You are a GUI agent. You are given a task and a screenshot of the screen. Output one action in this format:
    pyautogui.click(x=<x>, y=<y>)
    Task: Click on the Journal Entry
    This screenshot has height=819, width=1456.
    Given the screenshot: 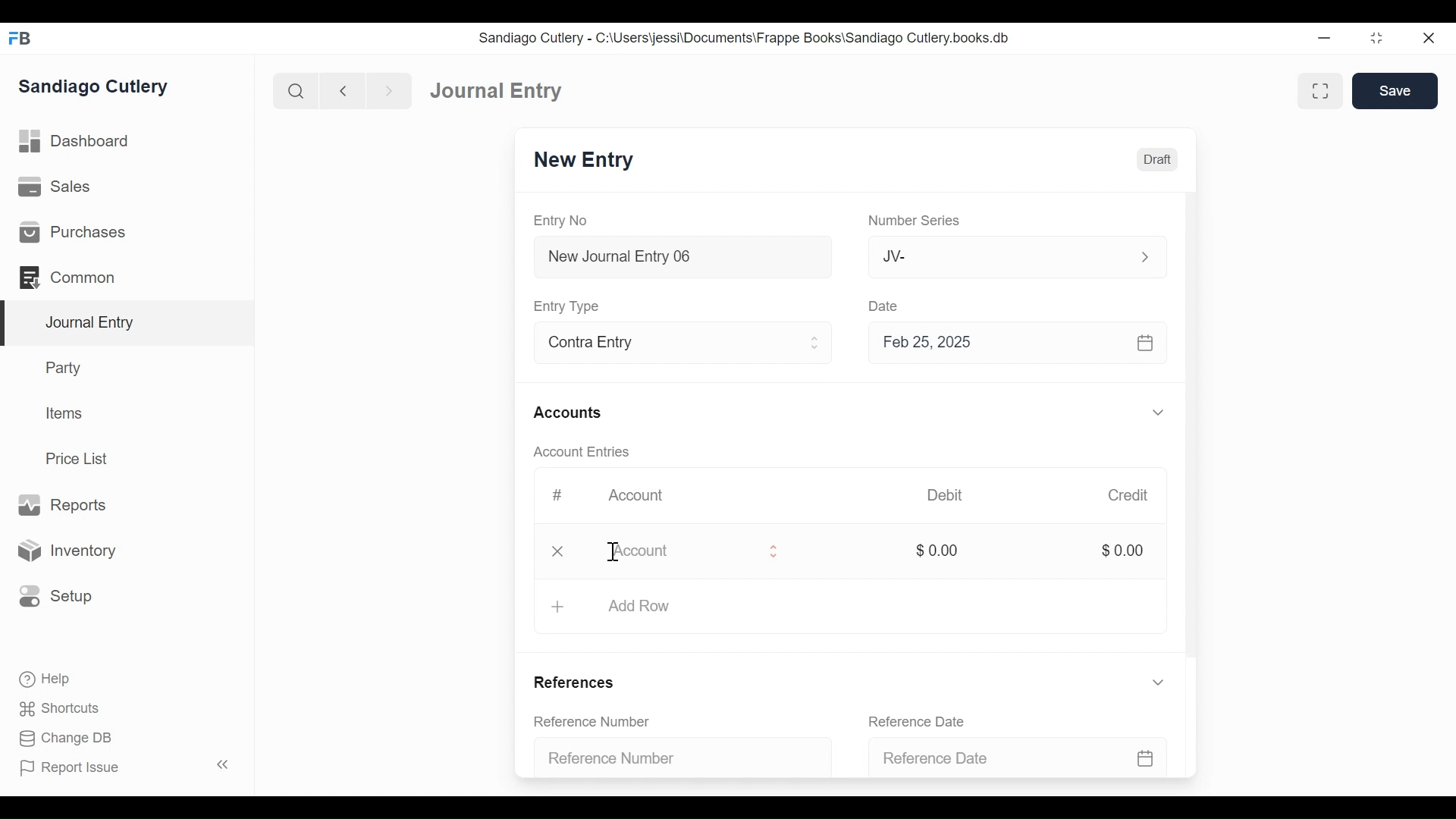 What is the action you would take?
    pyautogui.click(x=497, y=89)
    